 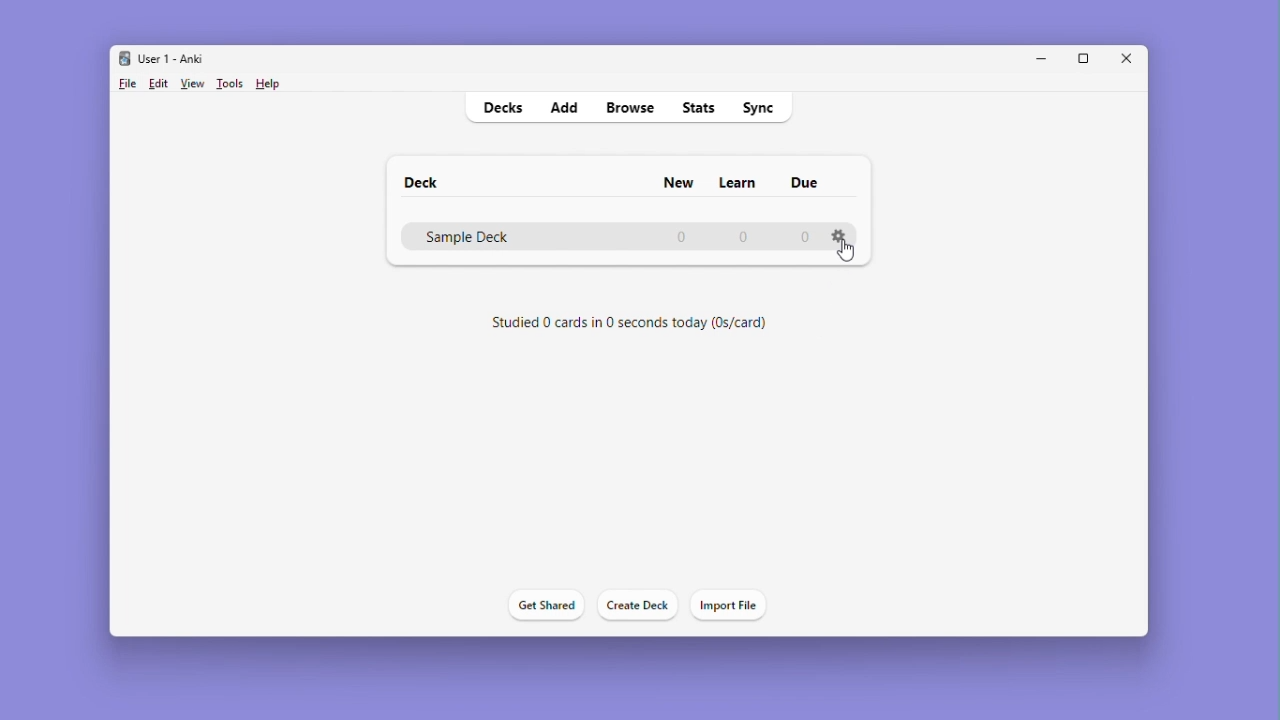 I want to click on Browse, so click(x=628, y=107).